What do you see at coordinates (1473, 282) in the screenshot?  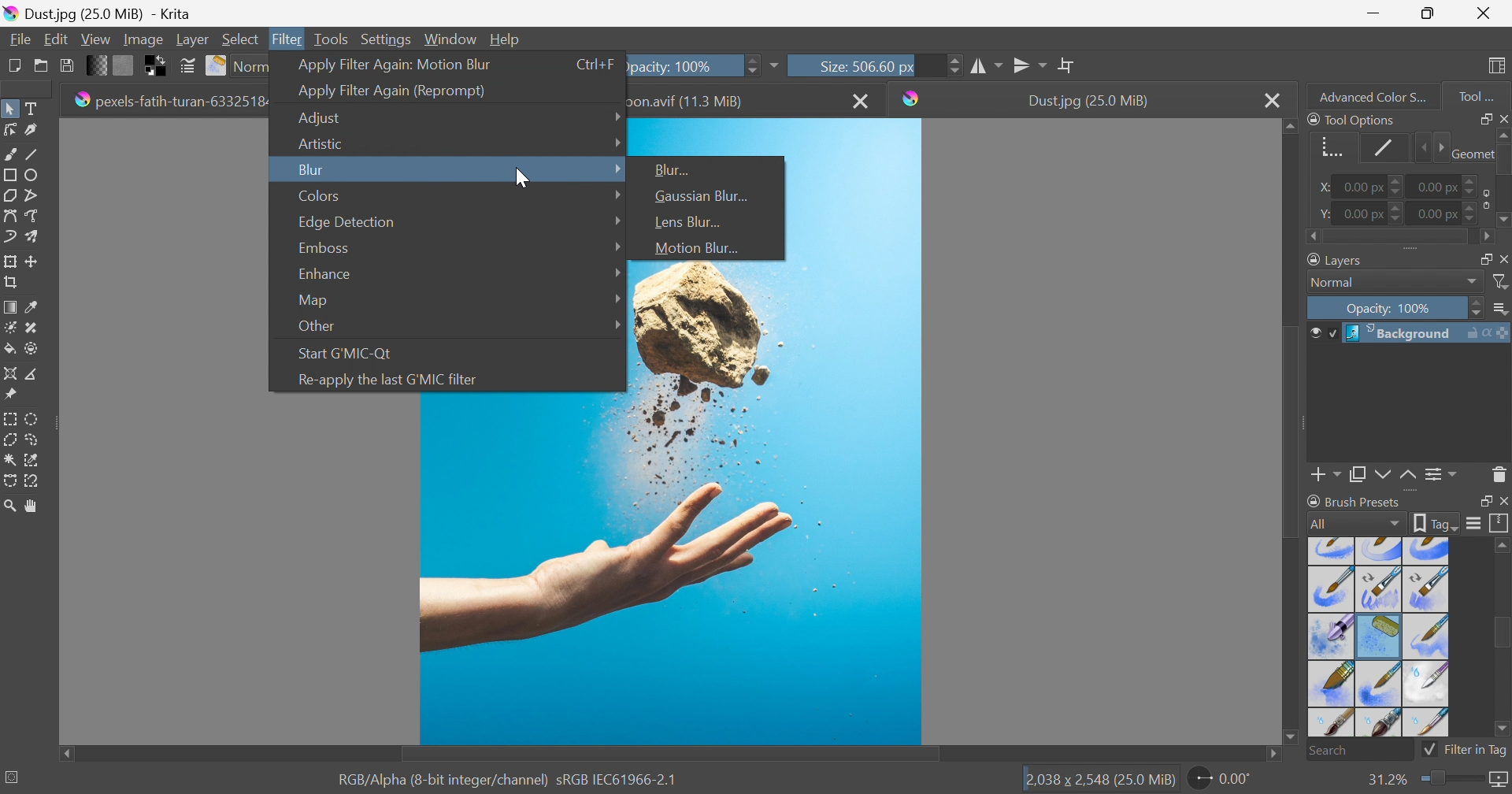 I see `Drop Down` at bounding box center [1473, 282].